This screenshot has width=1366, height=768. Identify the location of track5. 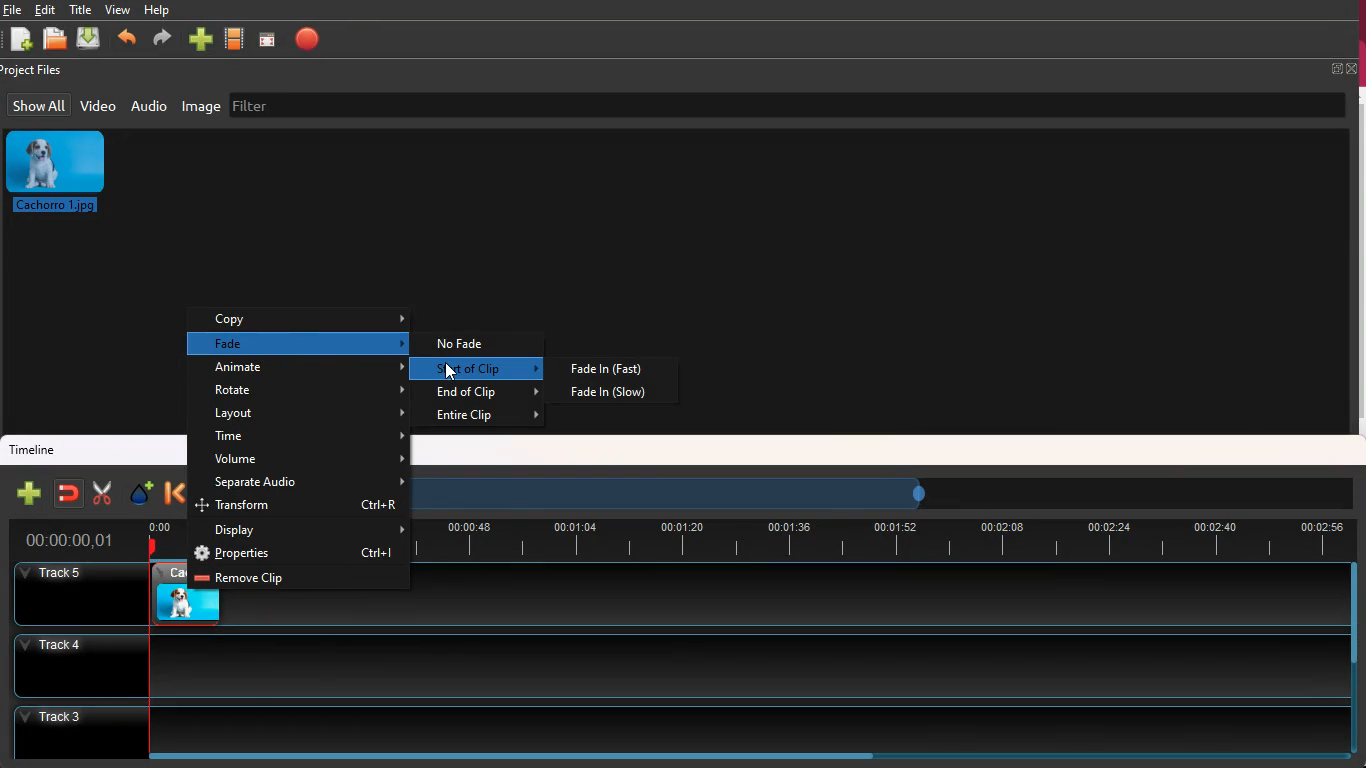
(70, 593).